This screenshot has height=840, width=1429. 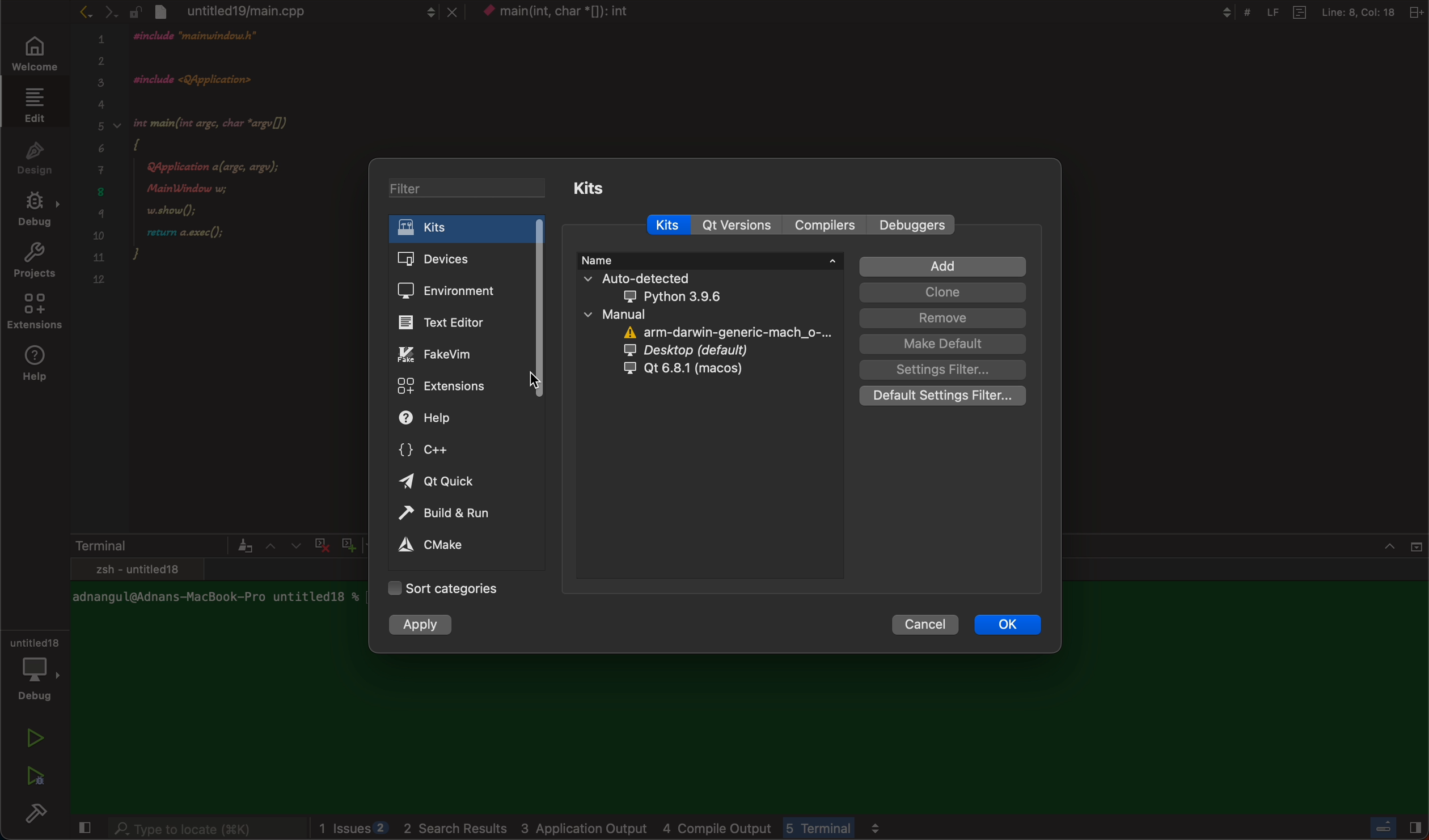 I want to click on code, so click(x=236, y=171).